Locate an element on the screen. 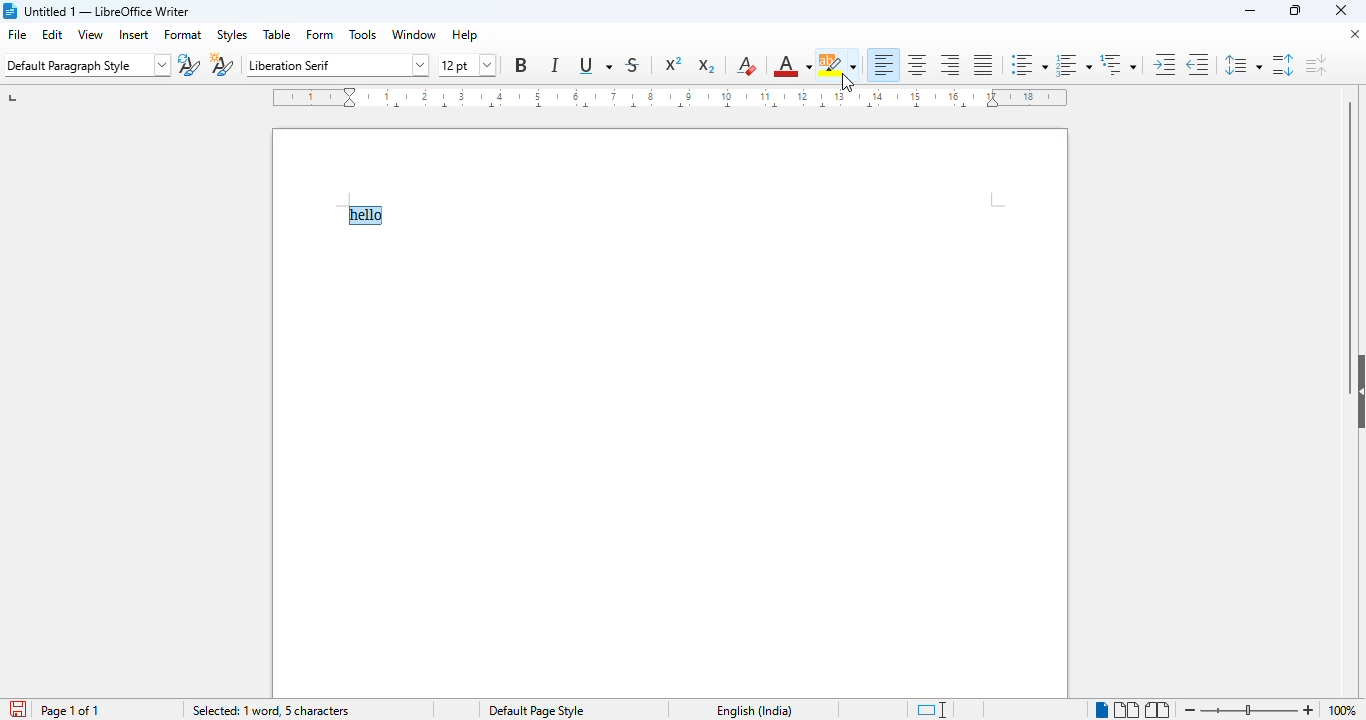 The height and width of the screenshot is (720, 1366). justified is located at coordinates (984, 65).